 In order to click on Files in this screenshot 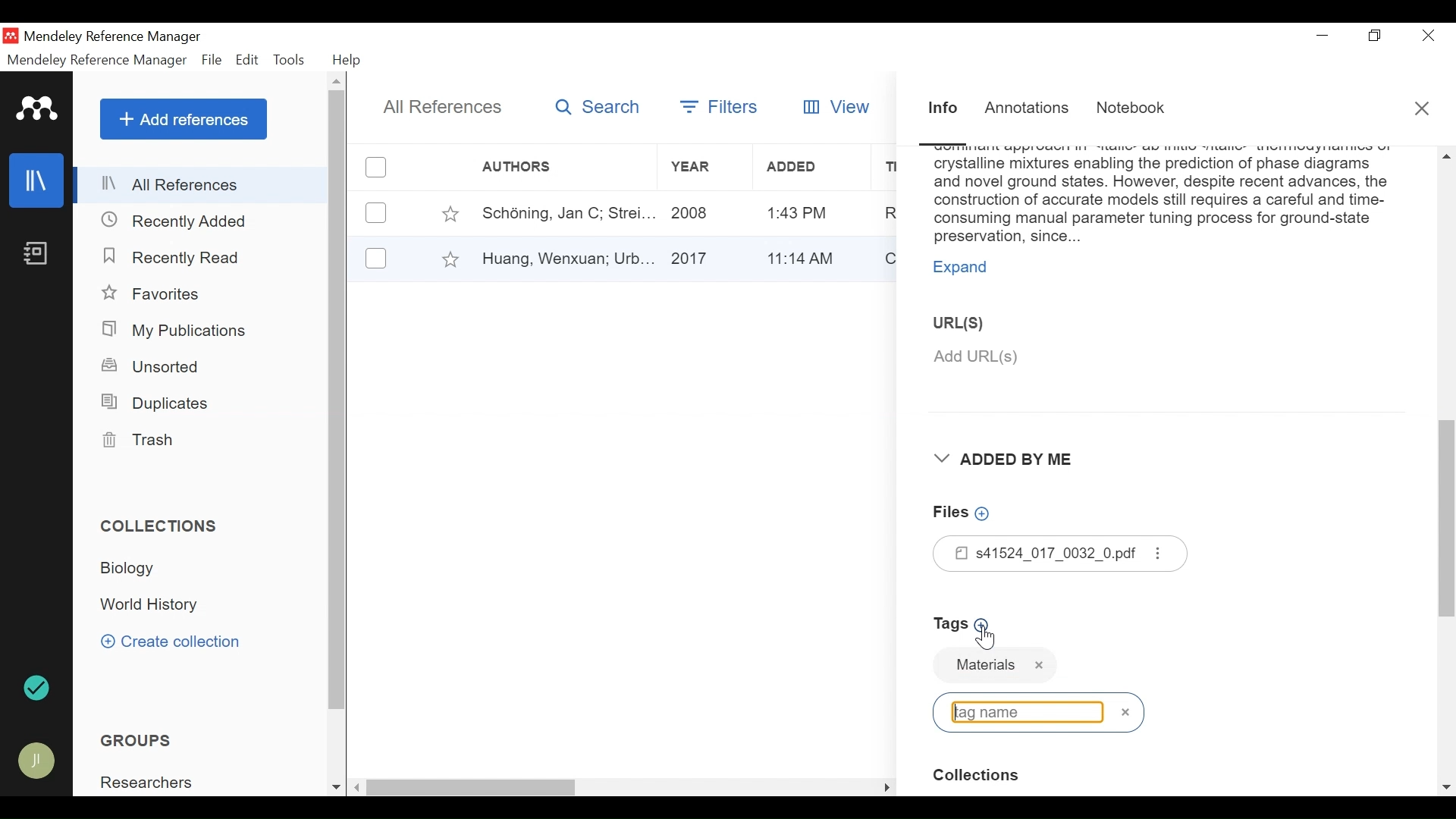, I will do `click(1062, 554)`.